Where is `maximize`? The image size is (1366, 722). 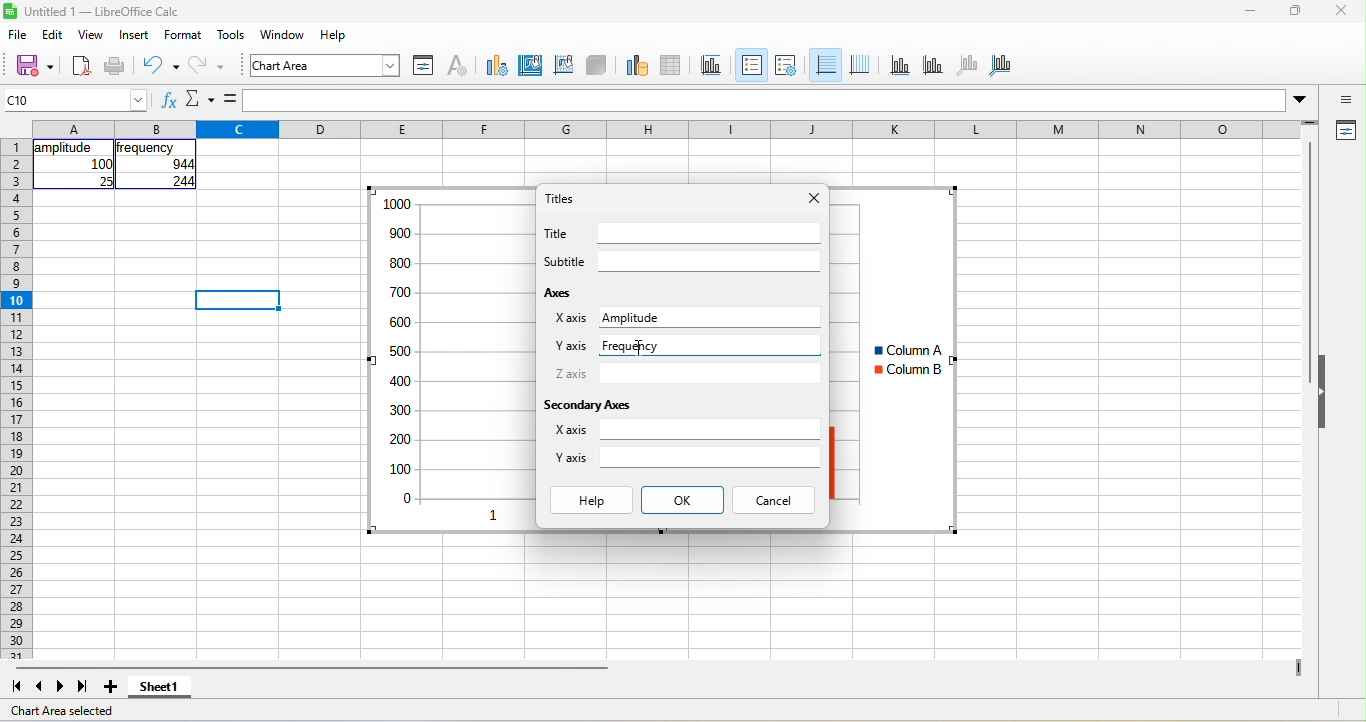 maximize is located at coordinates (1296, 10).